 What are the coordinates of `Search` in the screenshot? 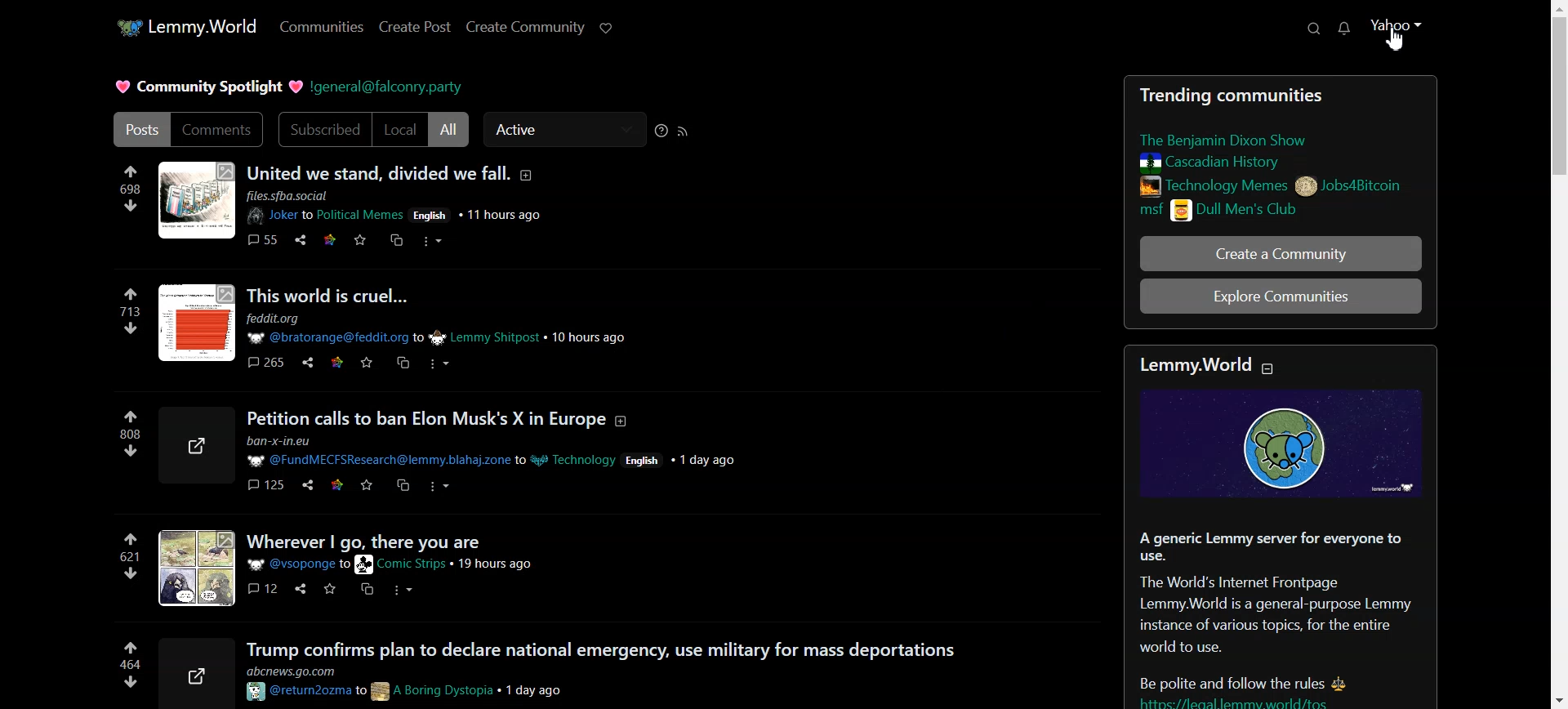 It's located at (1316, 29).